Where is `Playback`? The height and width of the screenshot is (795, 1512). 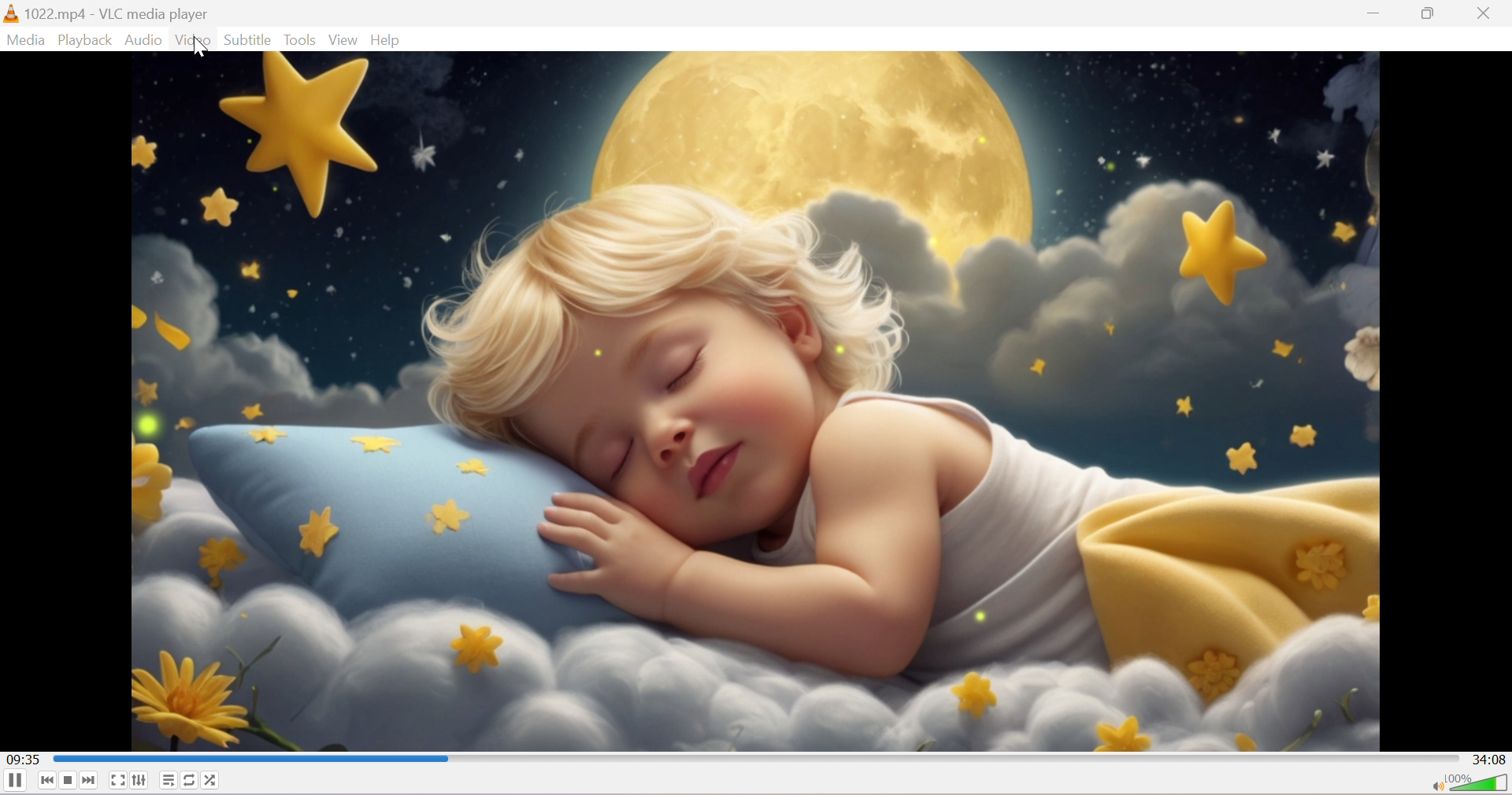 Playback is located at coordinates (85, 41).